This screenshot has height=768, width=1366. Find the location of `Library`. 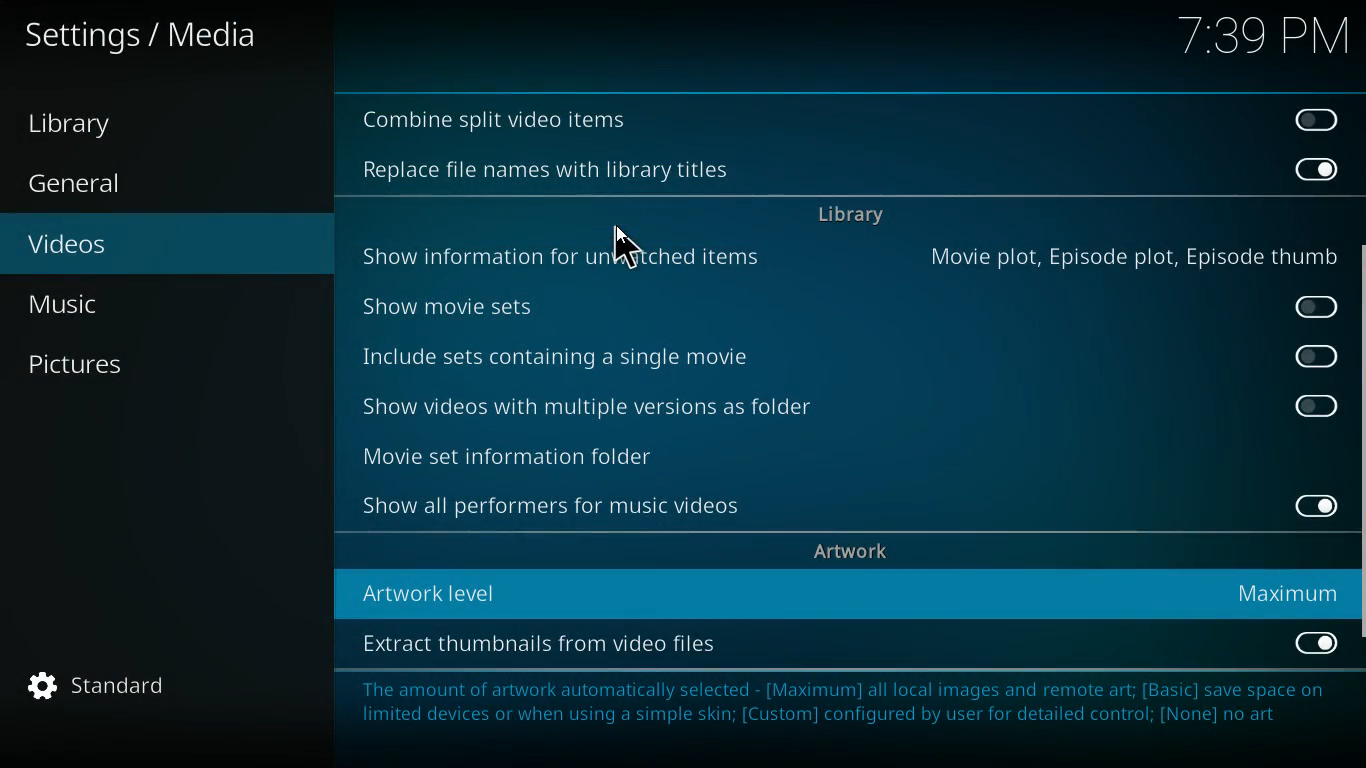

Library is located at coordinates (89, 125).